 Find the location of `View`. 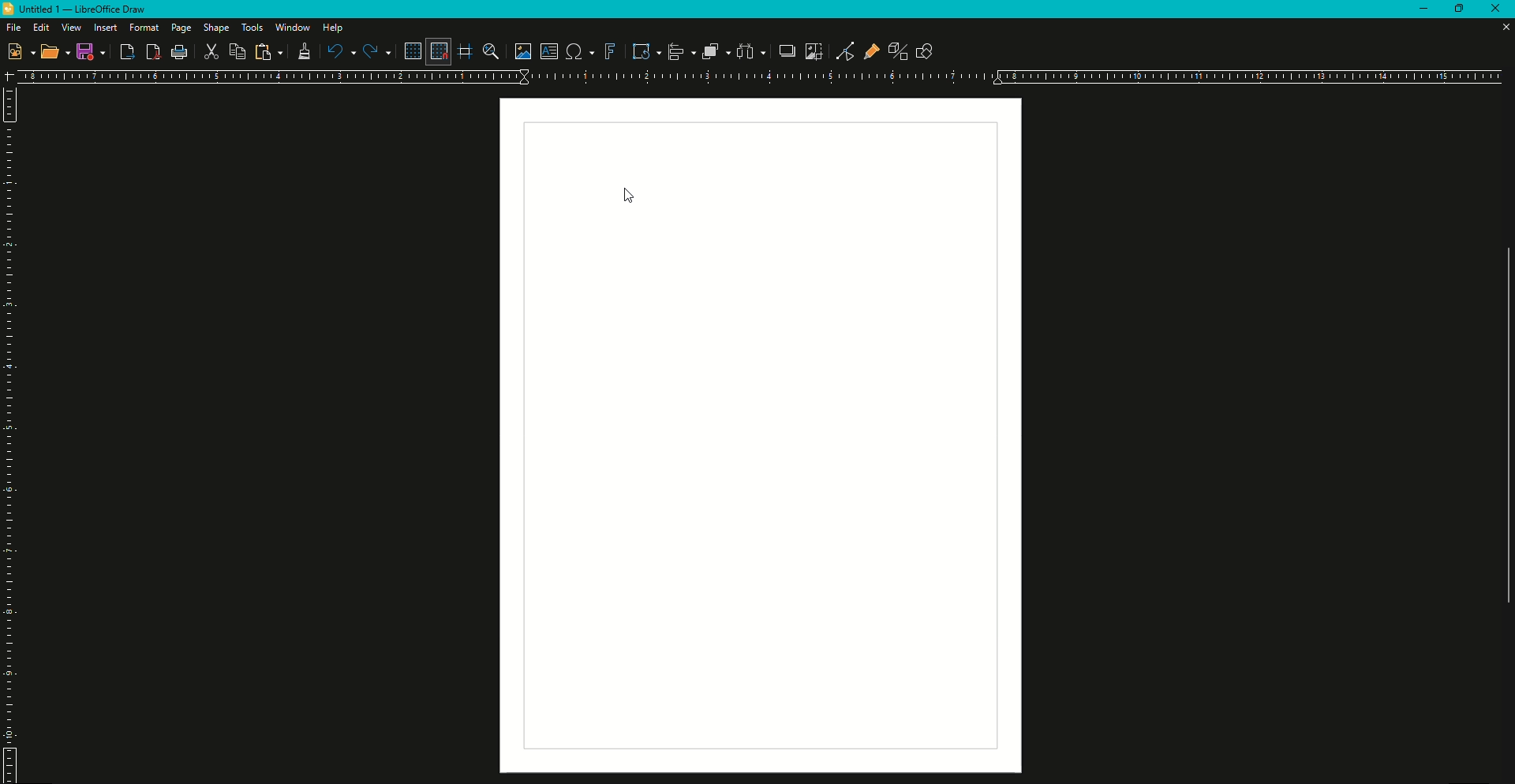

View is located at coordinates (67, 28).